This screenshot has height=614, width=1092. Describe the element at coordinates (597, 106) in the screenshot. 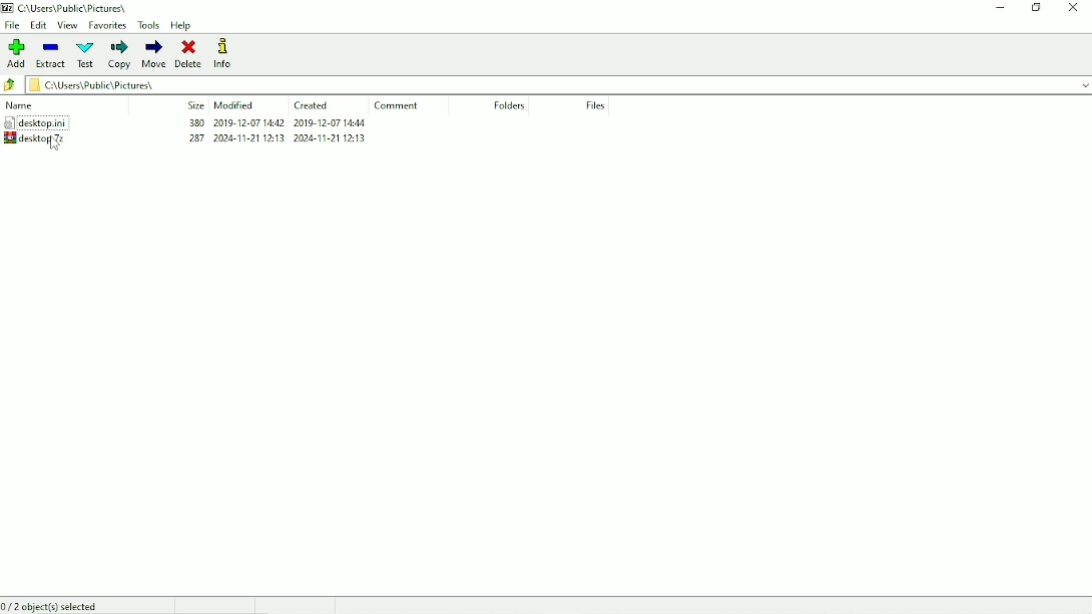

I see `Files` at that location.